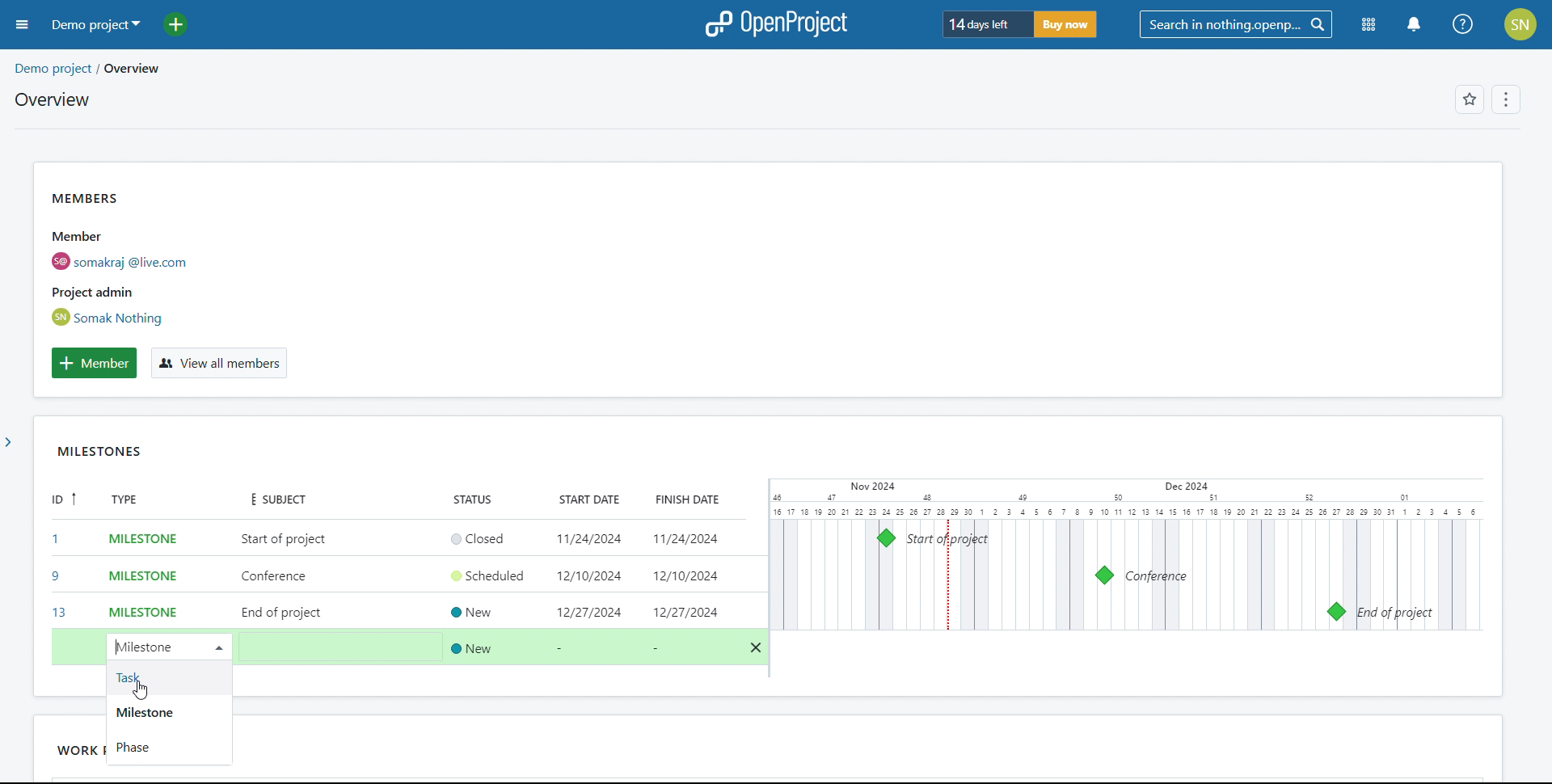 Image resolution: width=1552 pixels, height=784 pixels. Describe the element at coordinates (1469, 101) in the screenshot. I see `favorites` at that location.